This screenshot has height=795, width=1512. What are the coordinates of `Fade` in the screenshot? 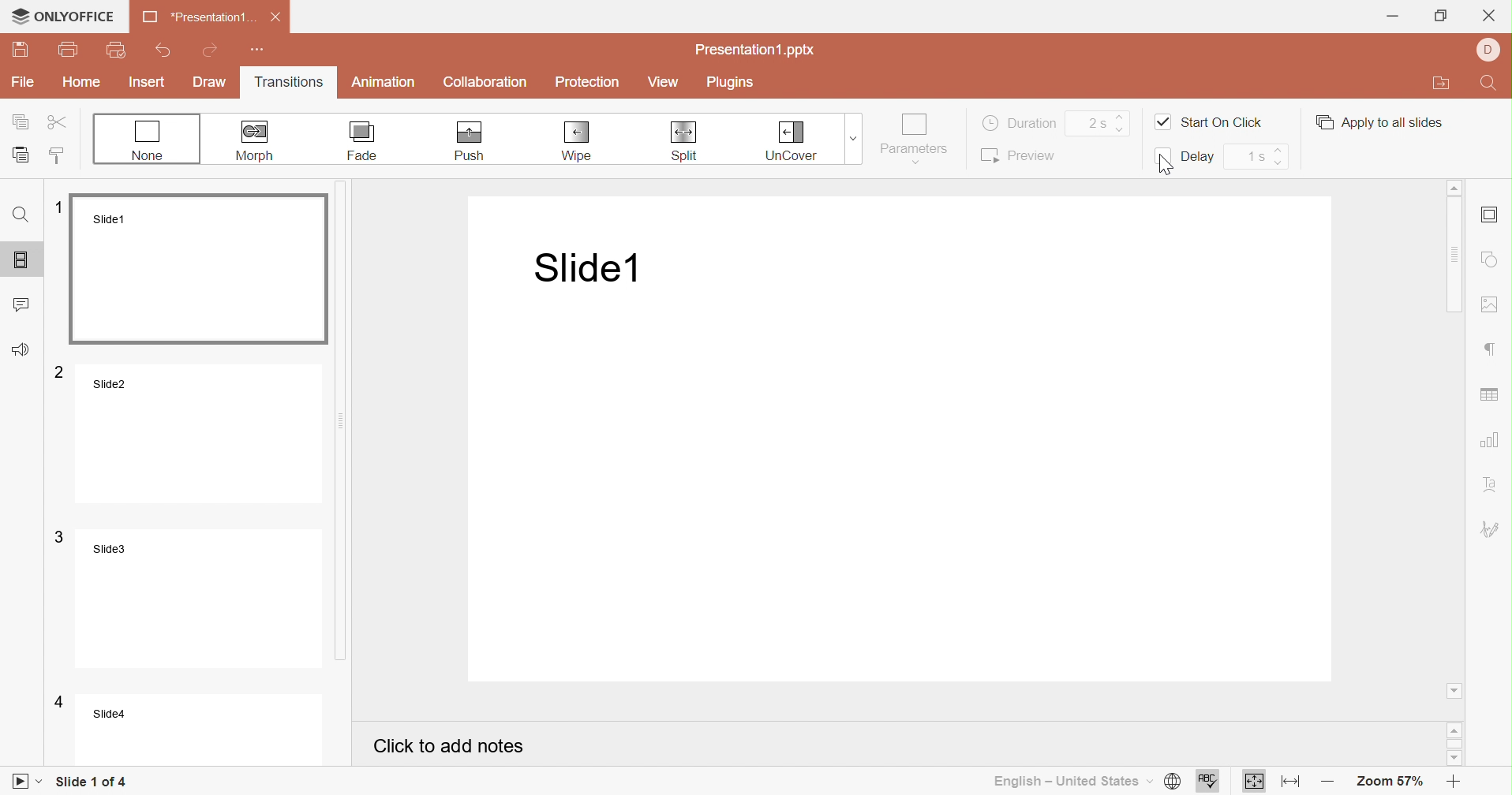 It's located at (363, 141).